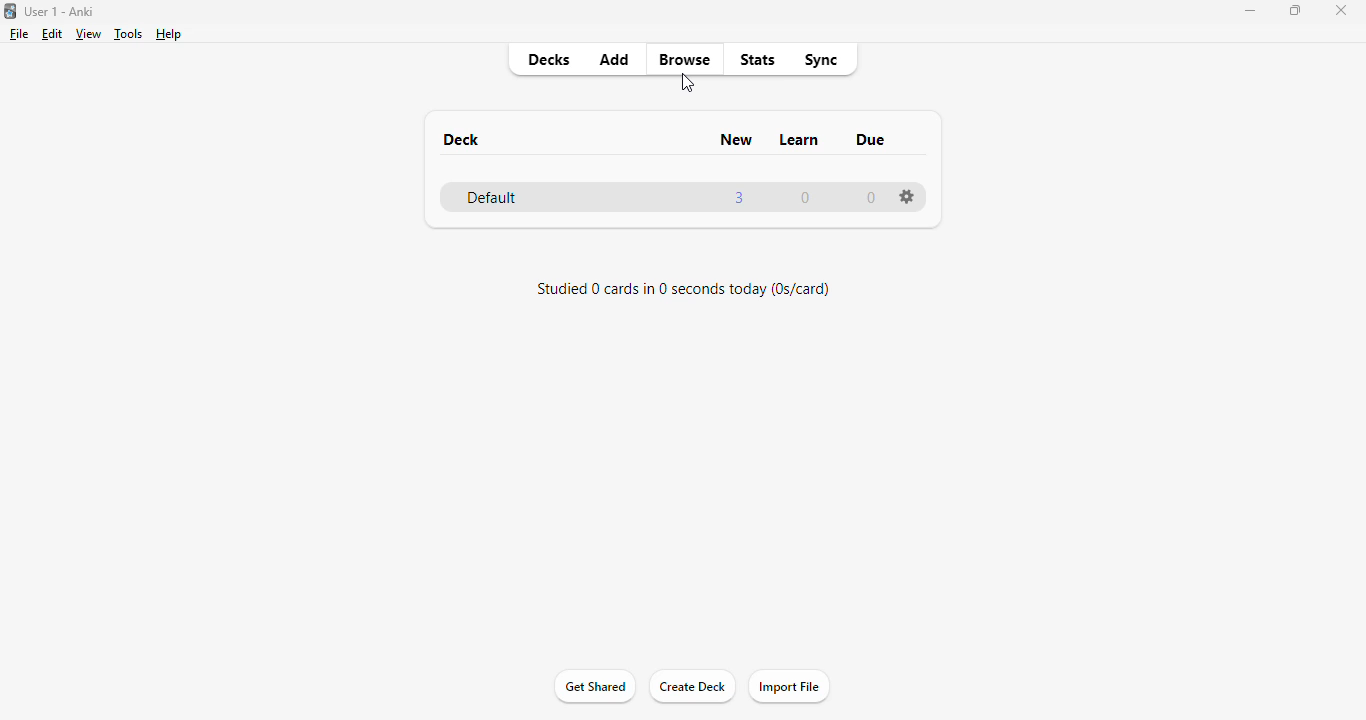 The height and width of the screenshot is (720, 1366). Describe the element at coordinates (89, 34) in the screenshot. I see `view` at that location.